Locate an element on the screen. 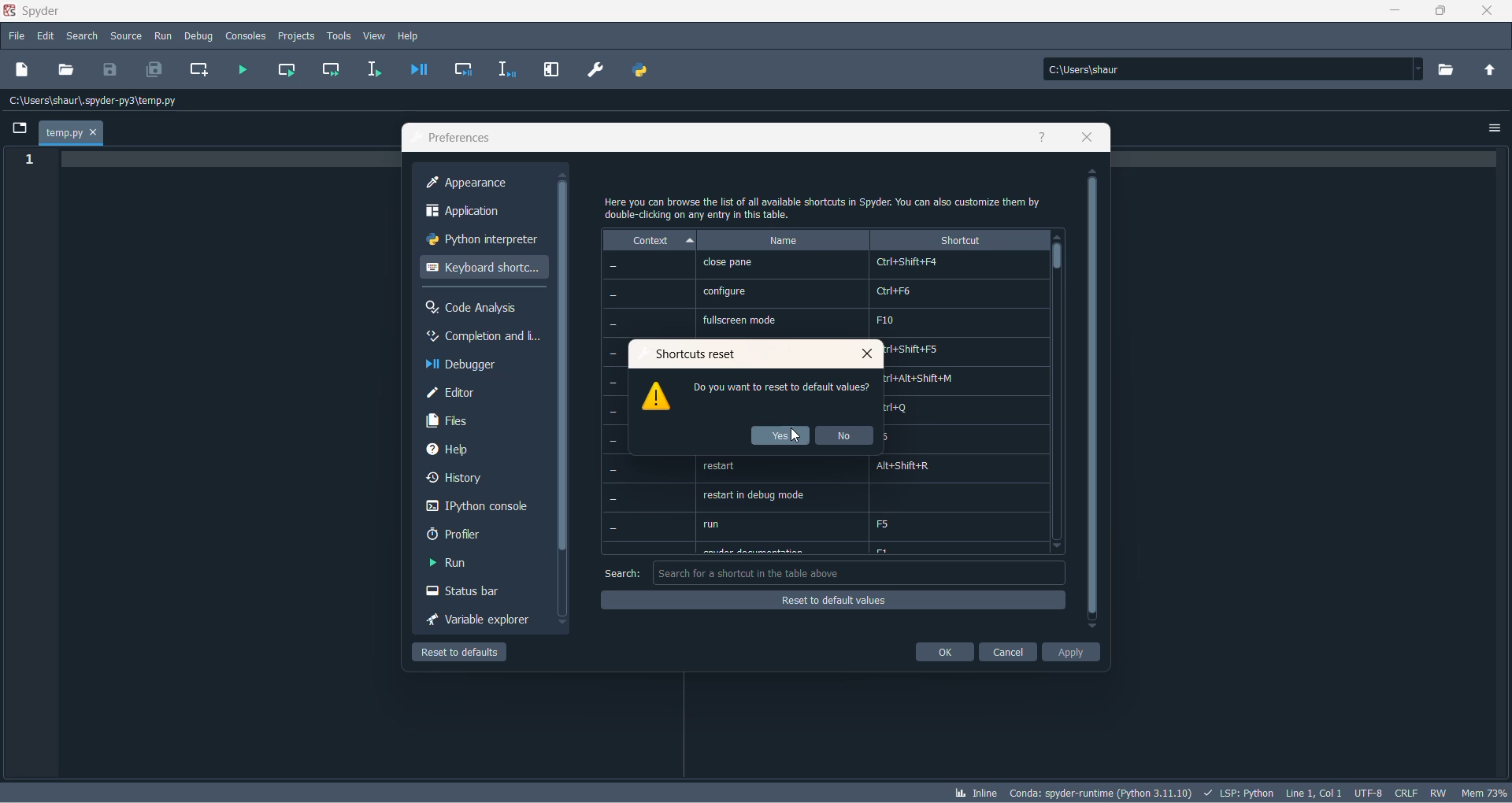 This screenshot has width=1512, height=803. chatset is located at coordinates (1368, 791).